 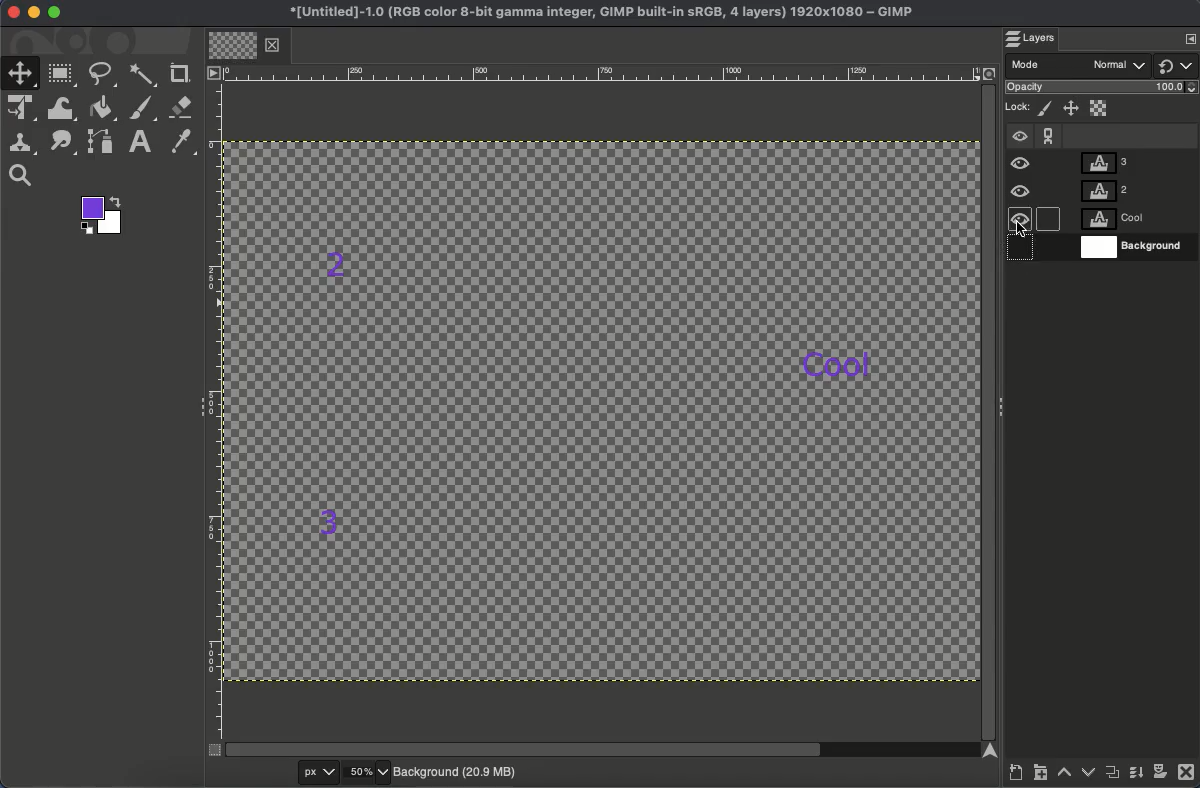 What do you see at coordinates (1019, 105) in the screenshot?
I see `Lock` at bounding box center [1019, 105].